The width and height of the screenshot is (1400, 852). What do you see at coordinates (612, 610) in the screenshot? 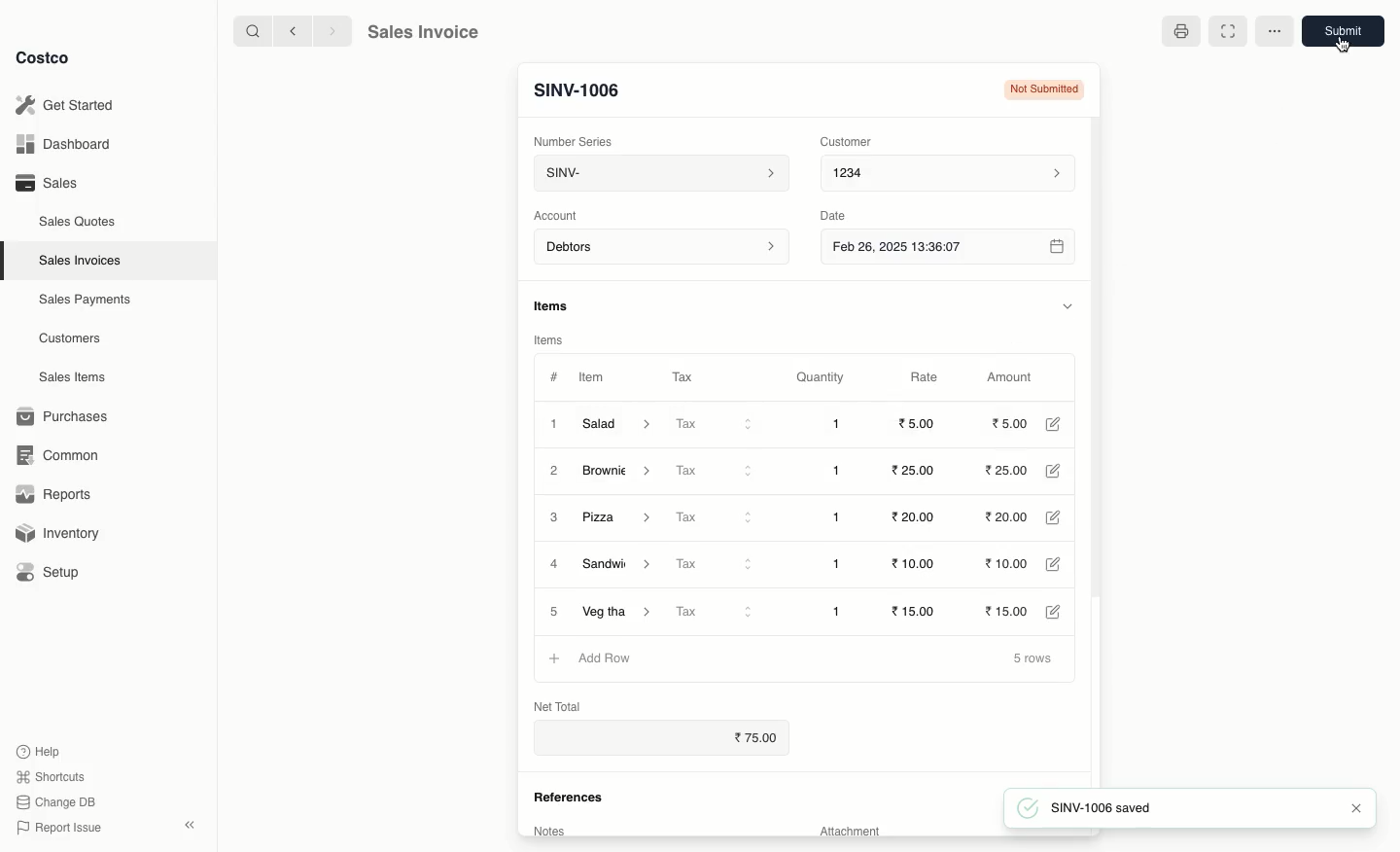
I see `Veg Thali` at bounding box center [612, 610].